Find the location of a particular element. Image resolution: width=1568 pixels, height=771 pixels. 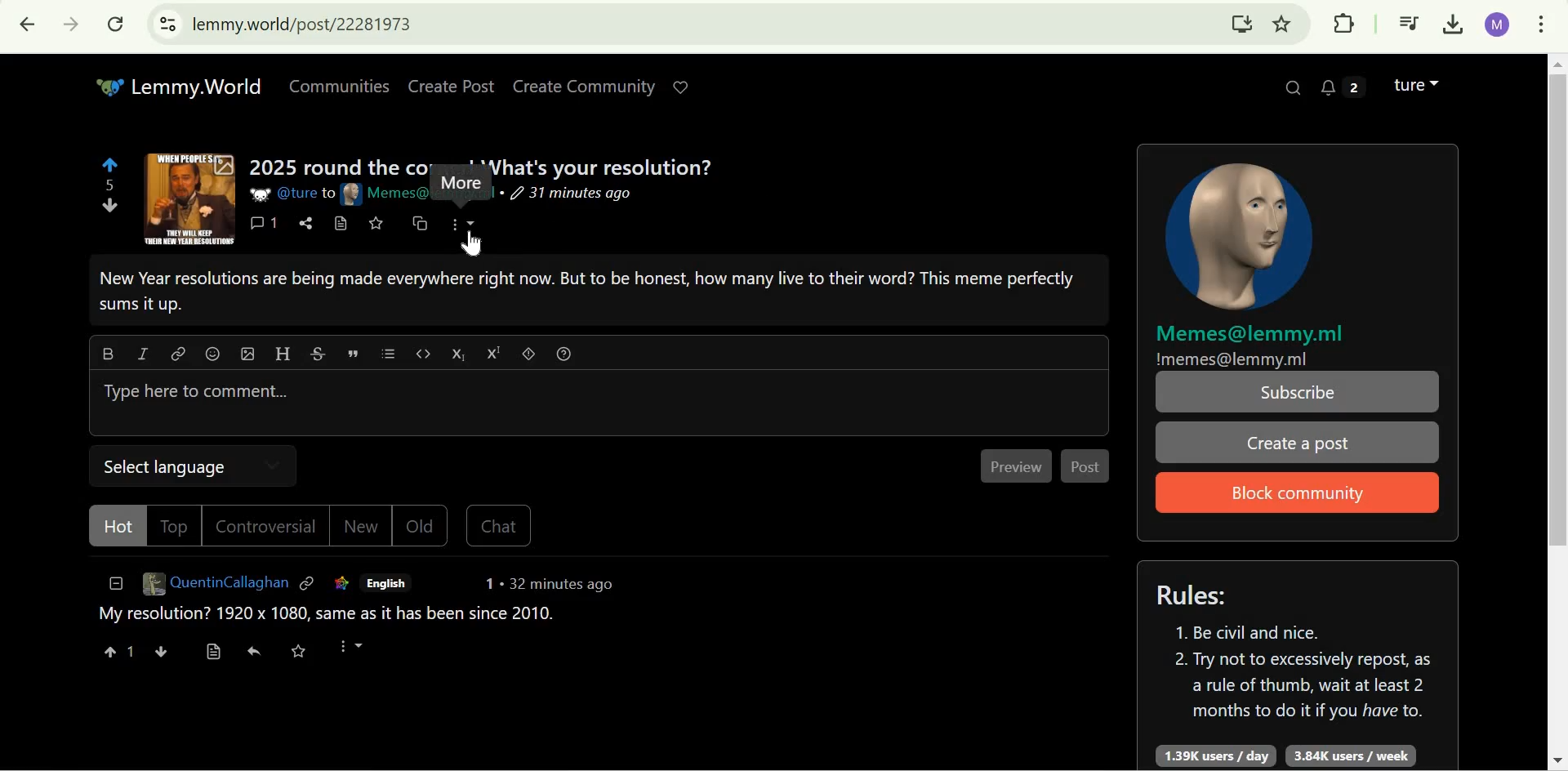

strikethrough is located at coordinates (318, 352).